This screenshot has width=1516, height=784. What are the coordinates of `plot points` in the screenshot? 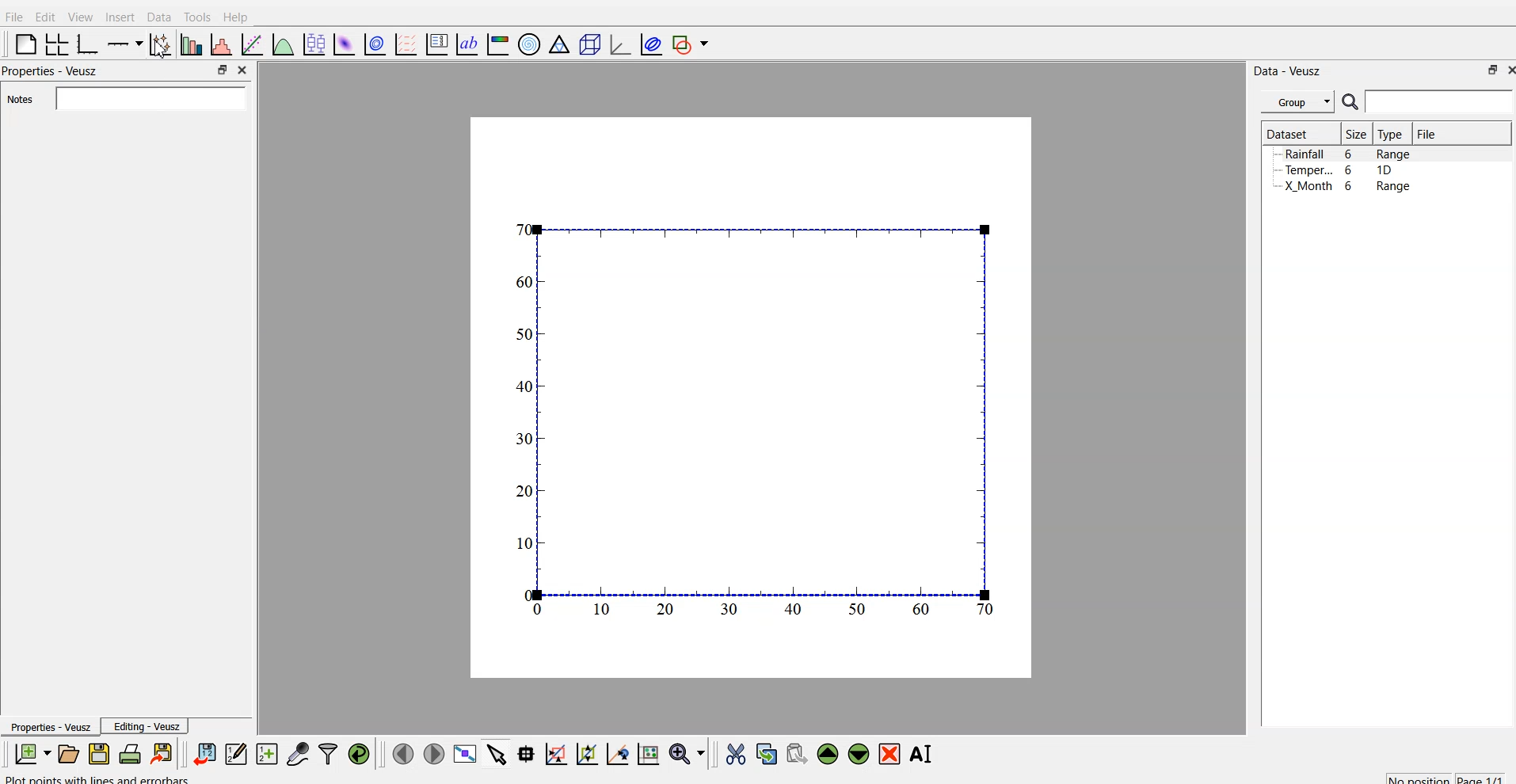 It's located at (158, 44).